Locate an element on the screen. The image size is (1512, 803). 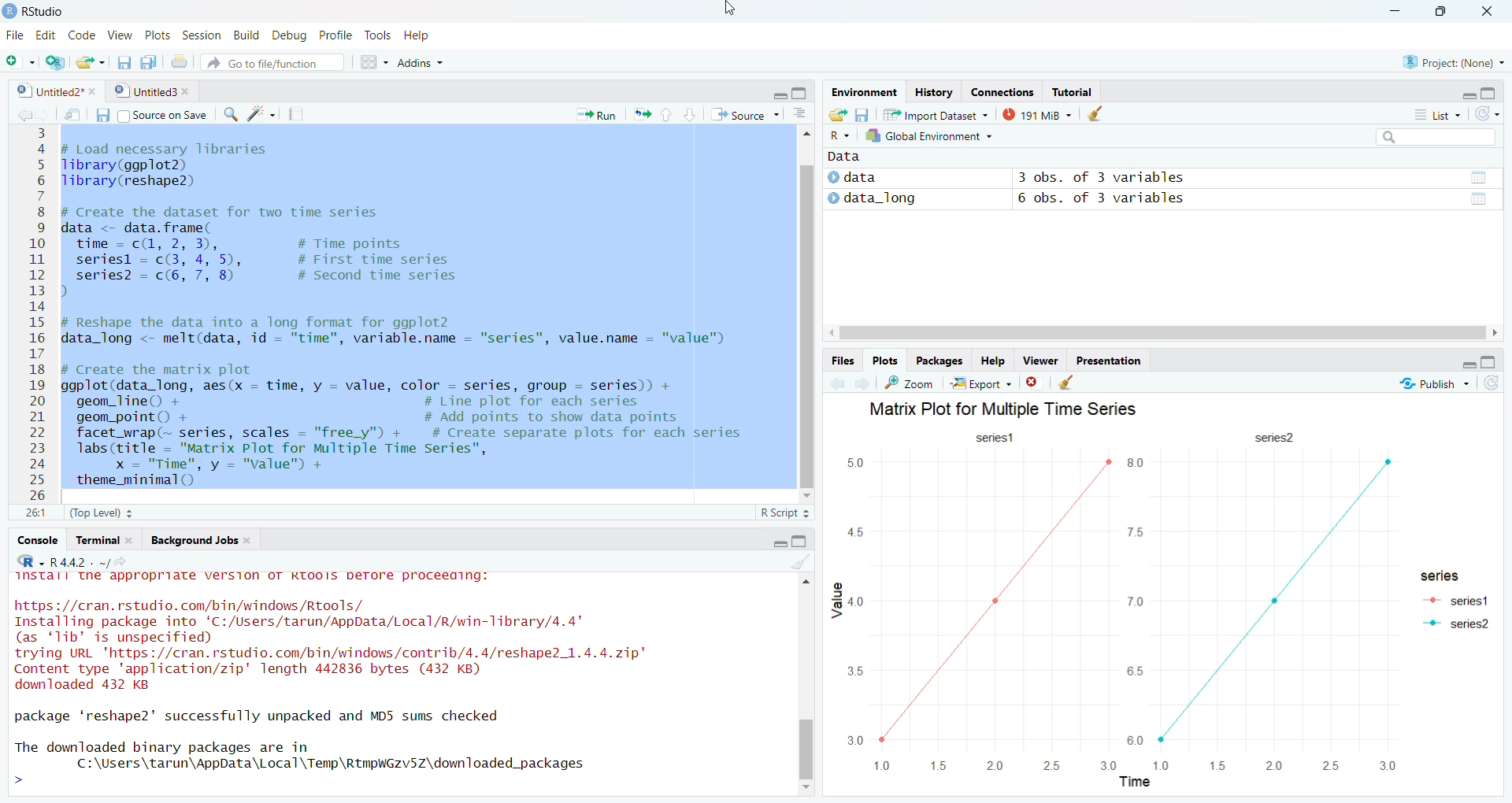
RStudio is located at coordinates (49, 12).